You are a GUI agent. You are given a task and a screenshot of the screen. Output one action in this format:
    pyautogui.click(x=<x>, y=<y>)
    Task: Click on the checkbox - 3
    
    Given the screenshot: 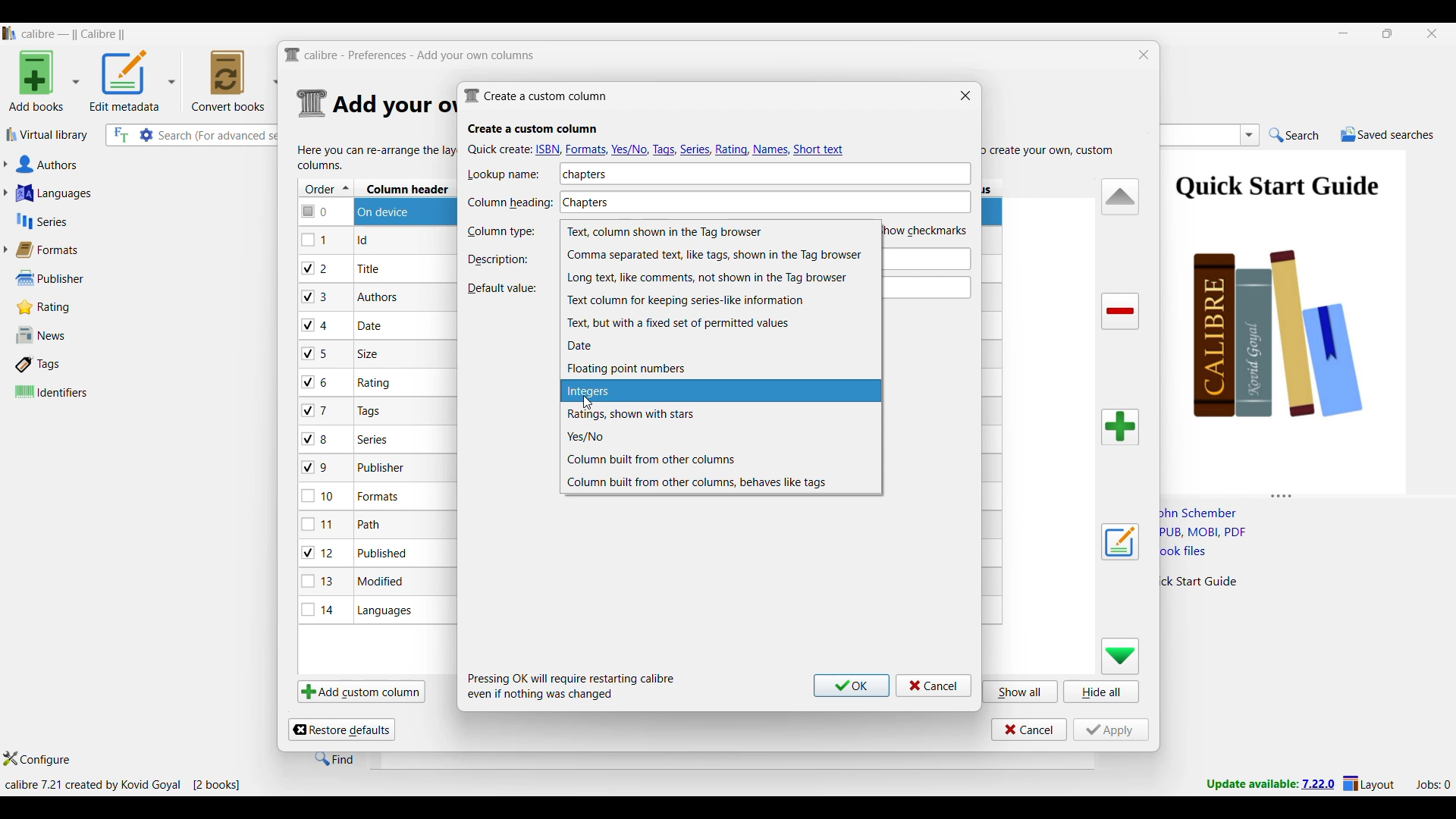 What is the action you would take?
    pyautogui.click(x=316, y=297)
    